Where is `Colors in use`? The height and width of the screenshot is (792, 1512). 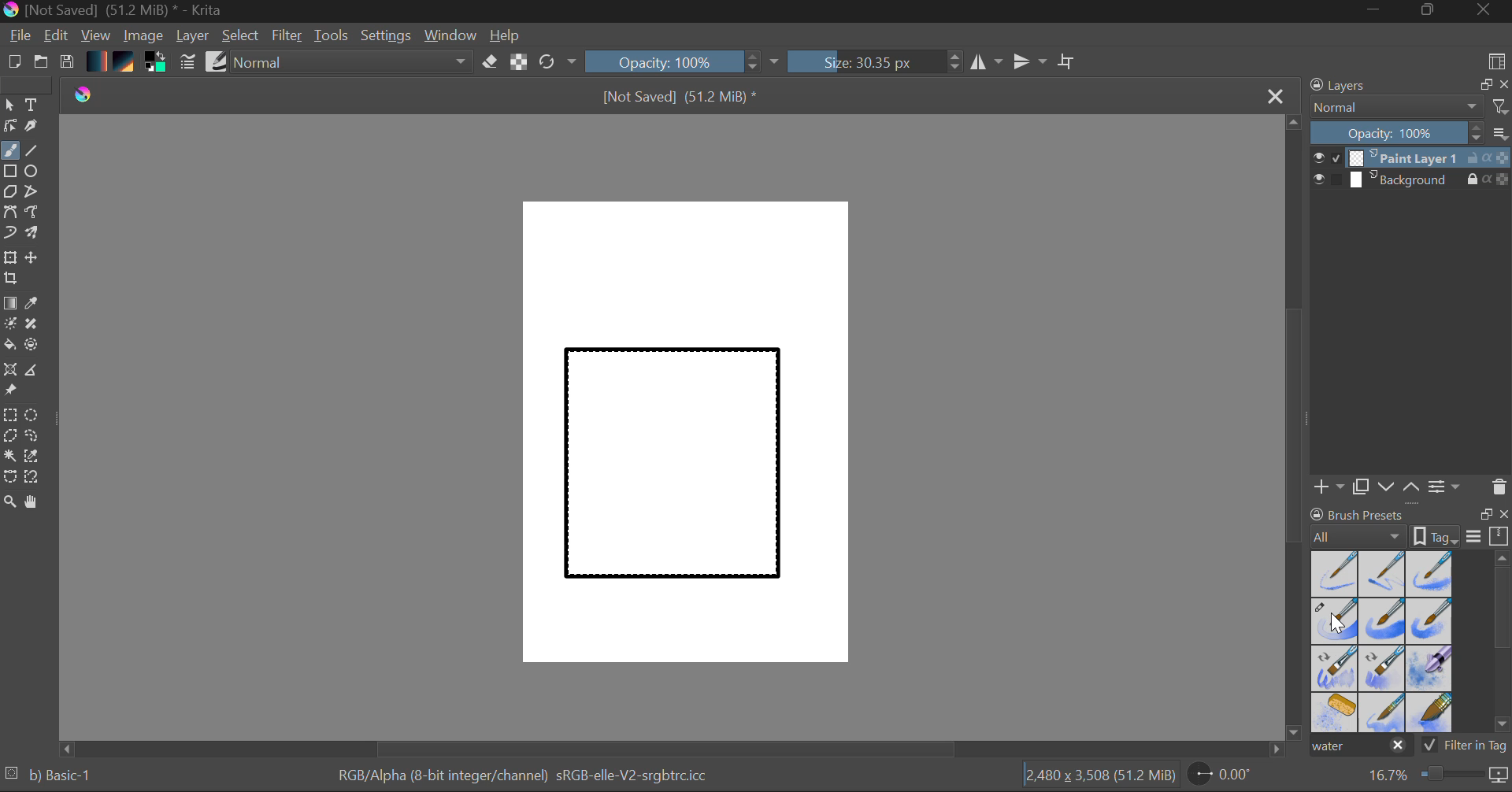 Colors in use is located at coordinates (157, 63).